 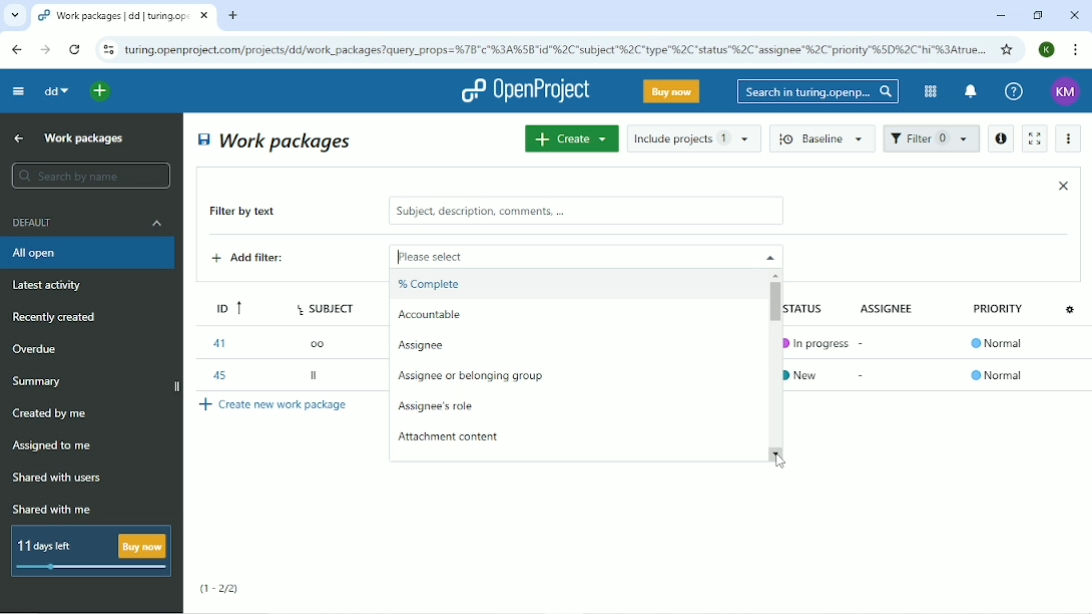 I want to click on Assignee or belonging group, so click(x=471, y=378).